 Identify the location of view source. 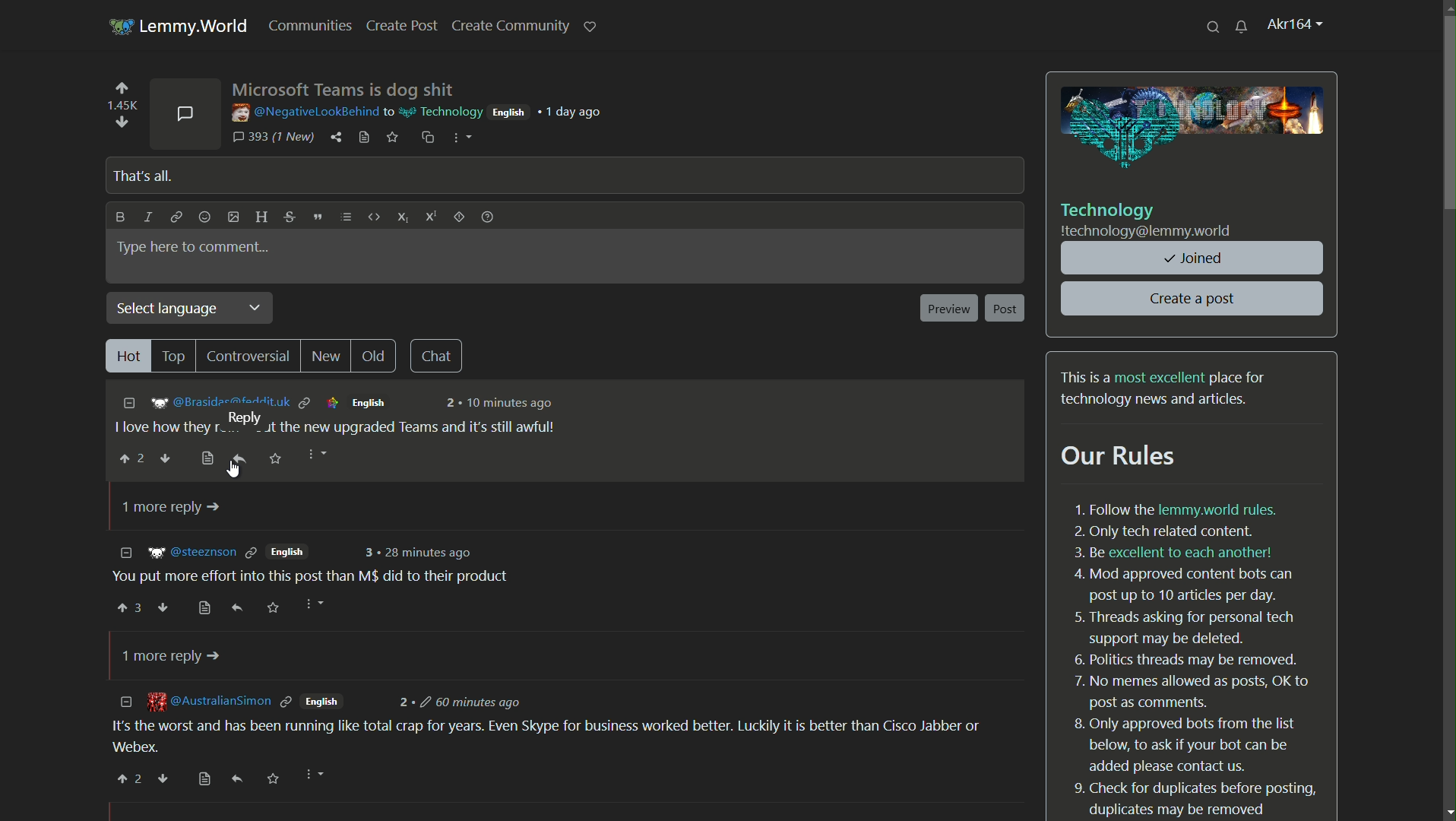
(209, 458).